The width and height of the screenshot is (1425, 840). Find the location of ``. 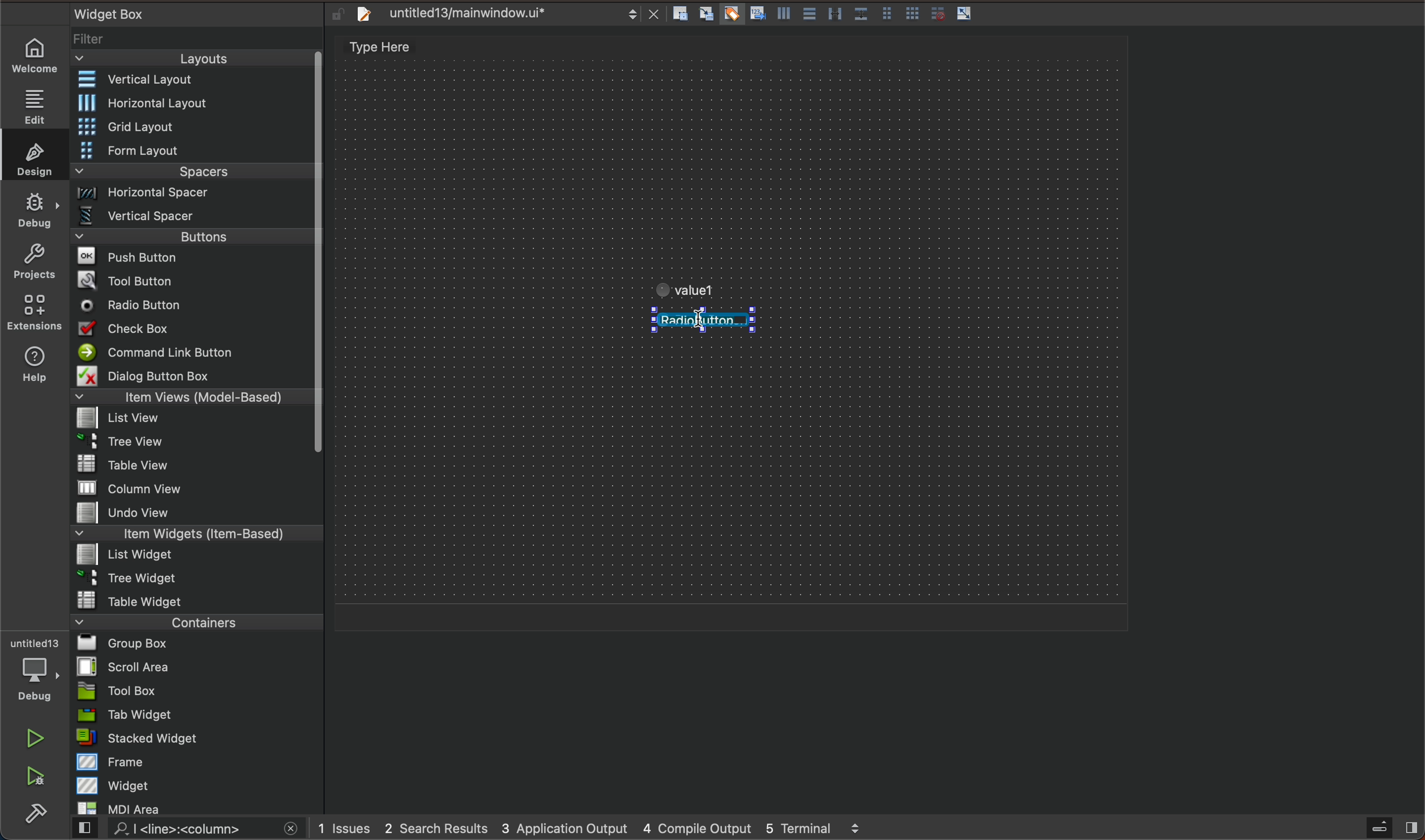

 is located at coordinates (756, 15).